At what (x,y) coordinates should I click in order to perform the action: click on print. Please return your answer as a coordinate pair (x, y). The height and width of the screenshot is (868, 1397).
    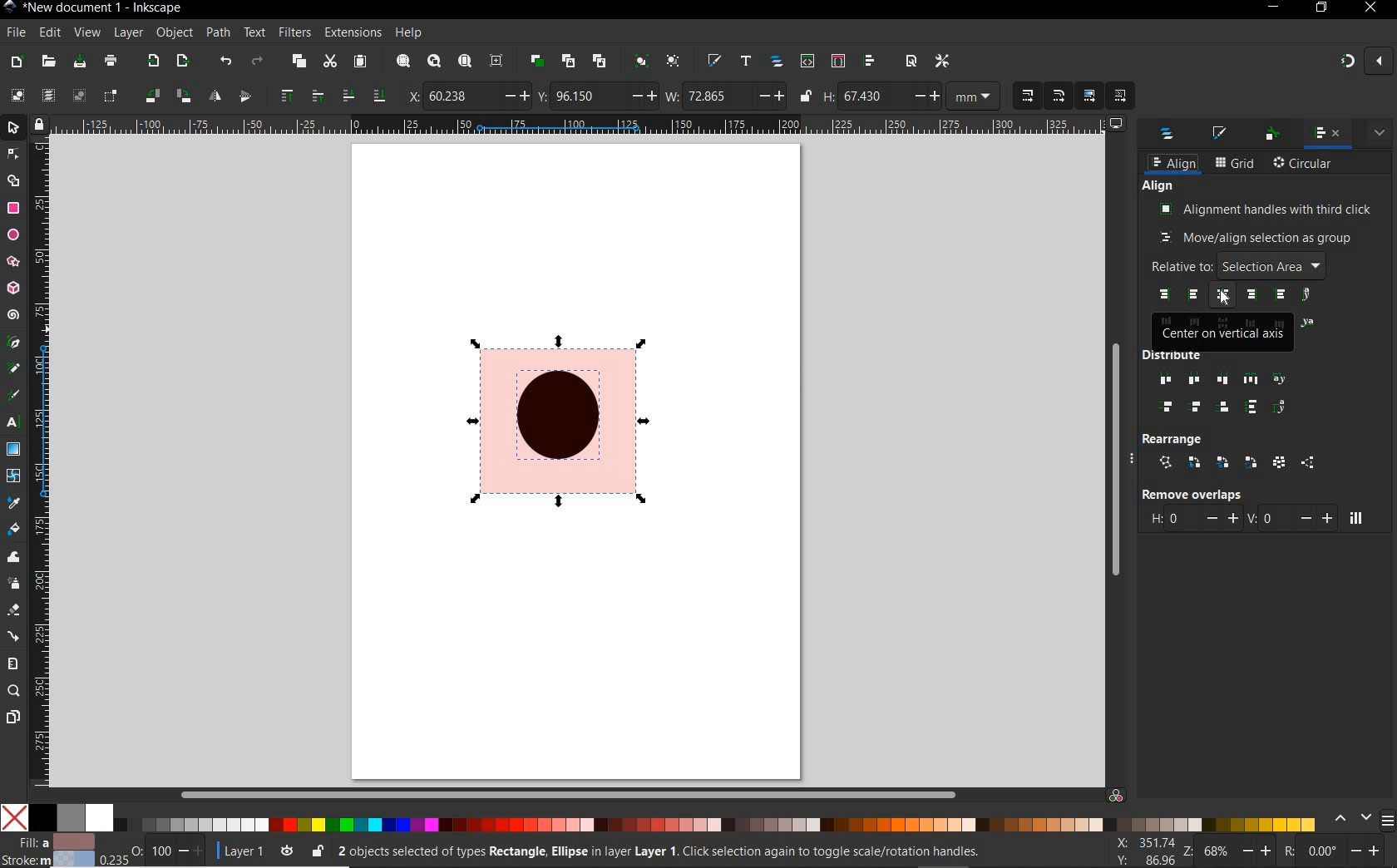
    Looking at the image, I should click on (111, 61).